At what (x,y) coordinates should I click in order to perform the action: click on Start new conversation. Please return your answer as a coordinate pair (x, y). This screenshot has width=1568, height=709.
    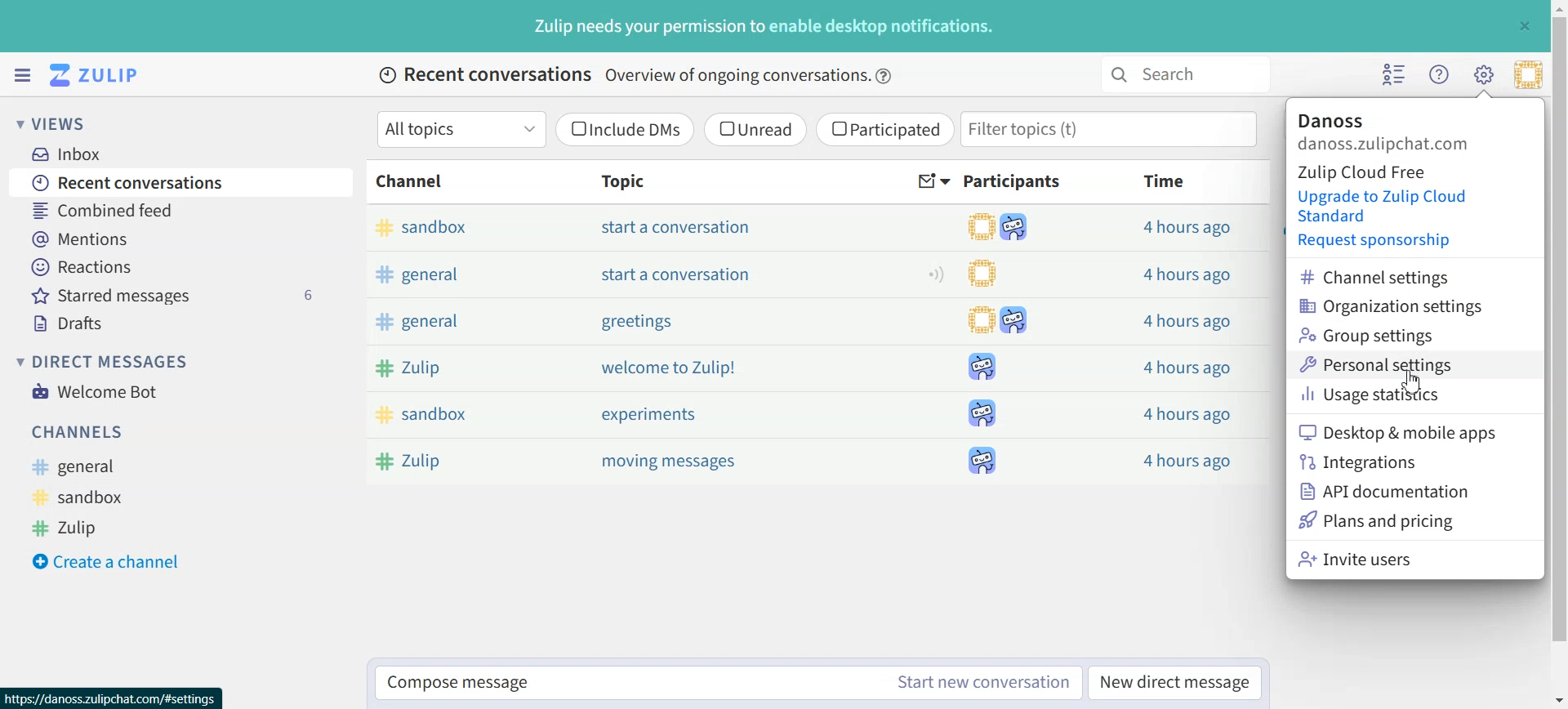
    Looking at the image, I should click on (985, 682).